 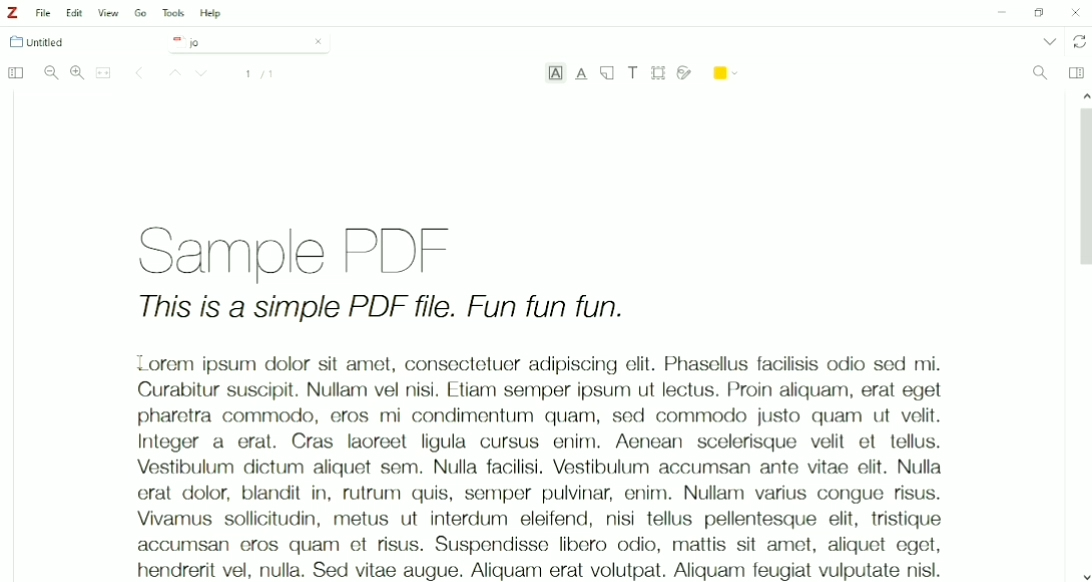 What do you see at coordinates (382, 310) in the screenshot?
I see `This is a simple PDF file. Fun fun fun.` at bounding box center [382, 310].